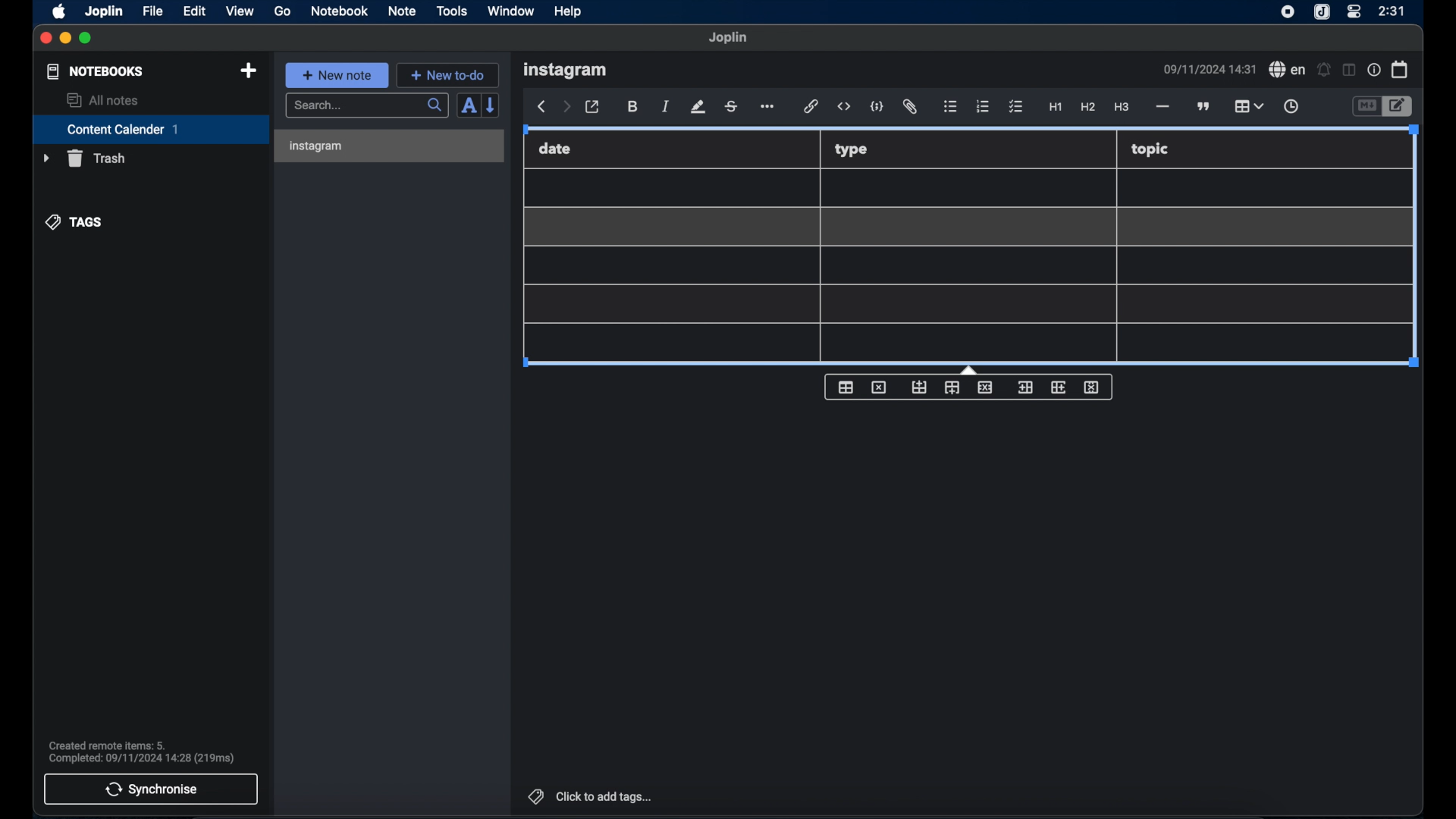  What do you see at coordinates (591, 796) in the screenshot?
I see `click to add tags` at bounding box center [591, 796].